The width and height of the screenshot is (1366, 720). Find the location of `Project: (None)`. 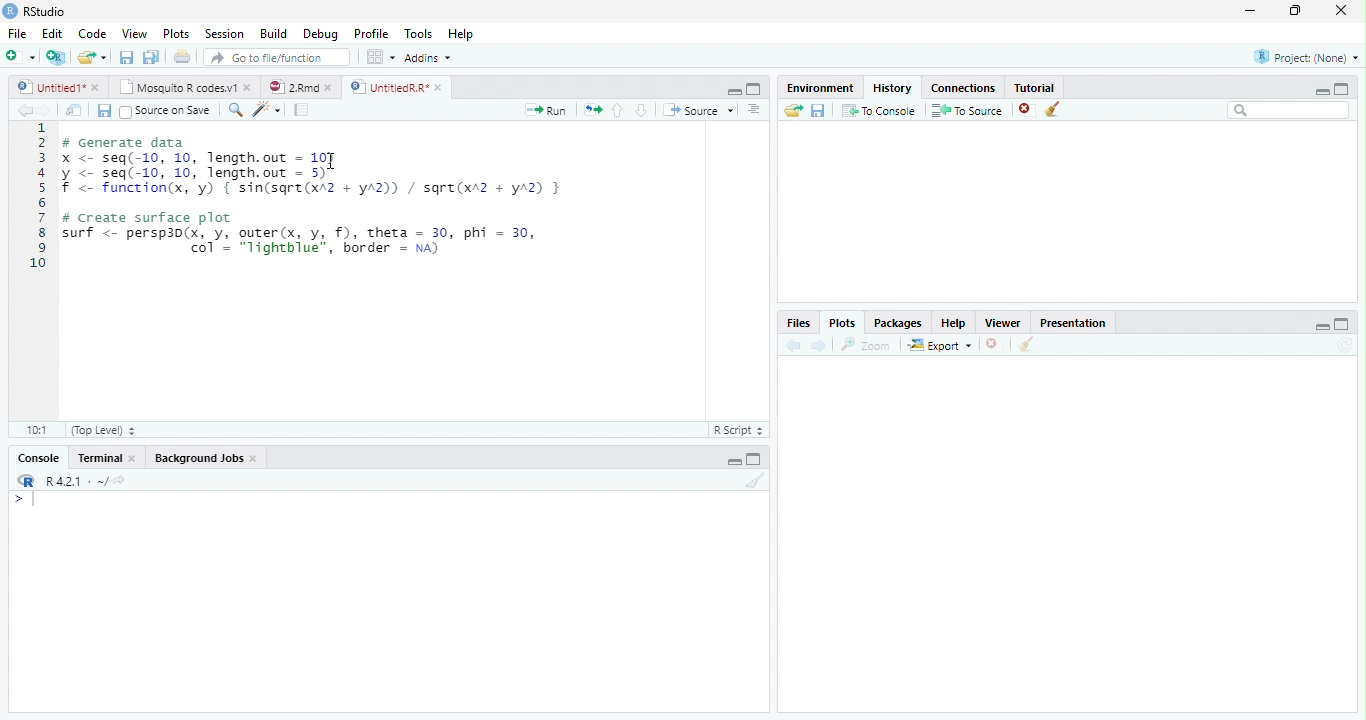

Project: (None) is located at coordinates (1306, 57).